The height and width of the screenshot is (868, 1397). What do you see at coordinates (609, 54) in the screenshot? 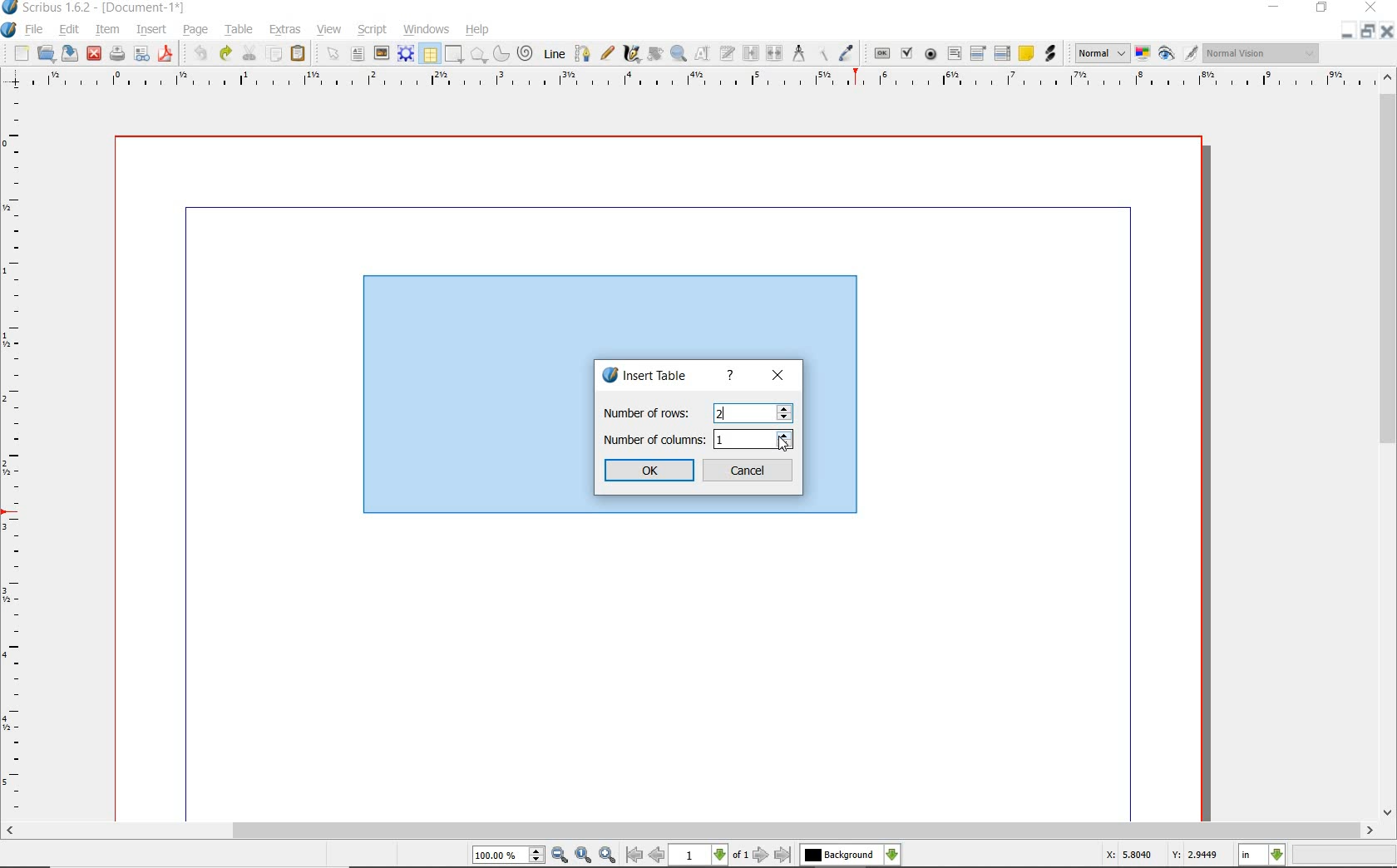
I see `freehand line` at bounding box center [609, 54].